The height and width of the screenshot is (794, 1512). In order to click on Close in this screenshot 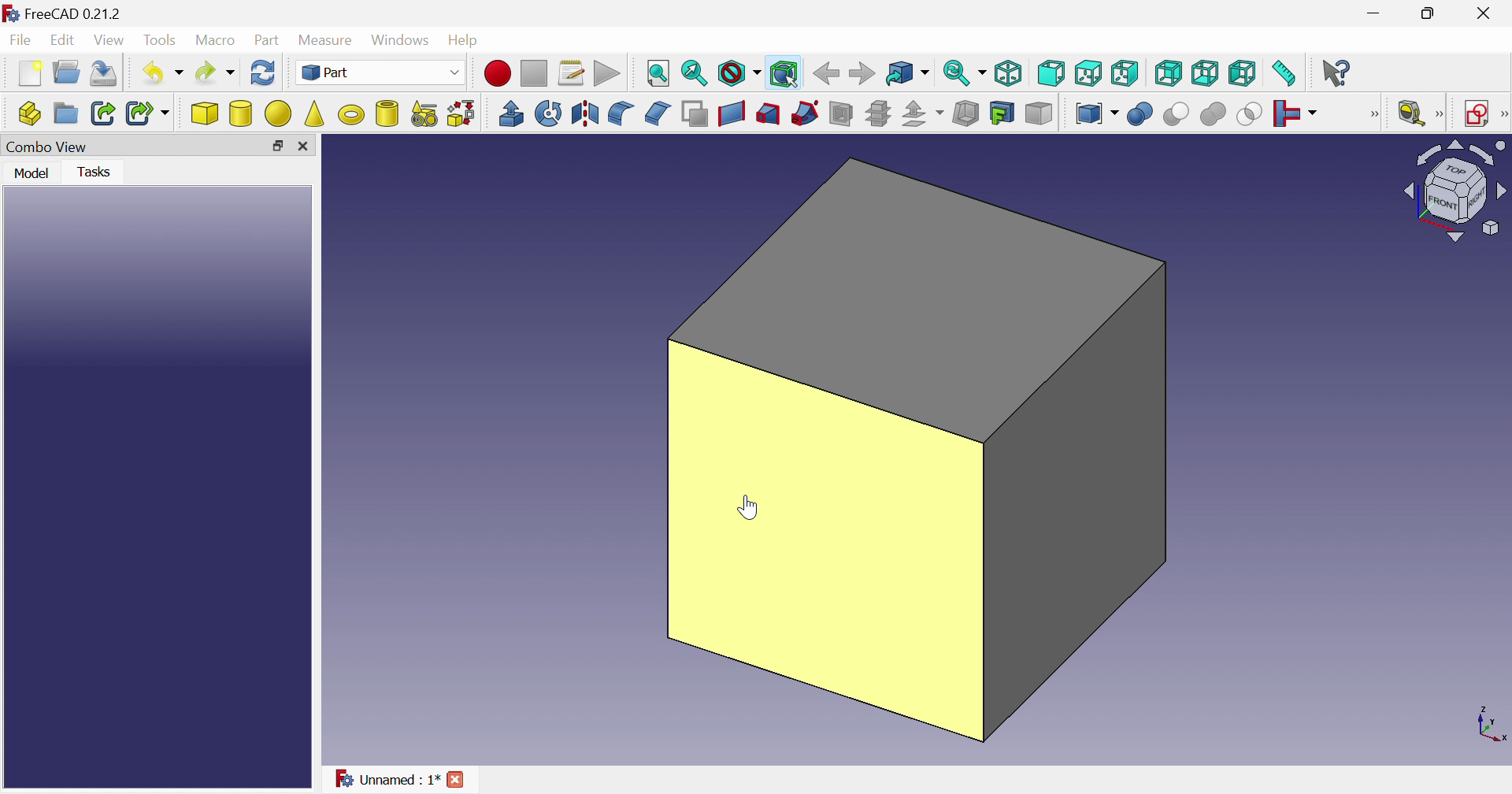, I will do `click(308, 147)`.